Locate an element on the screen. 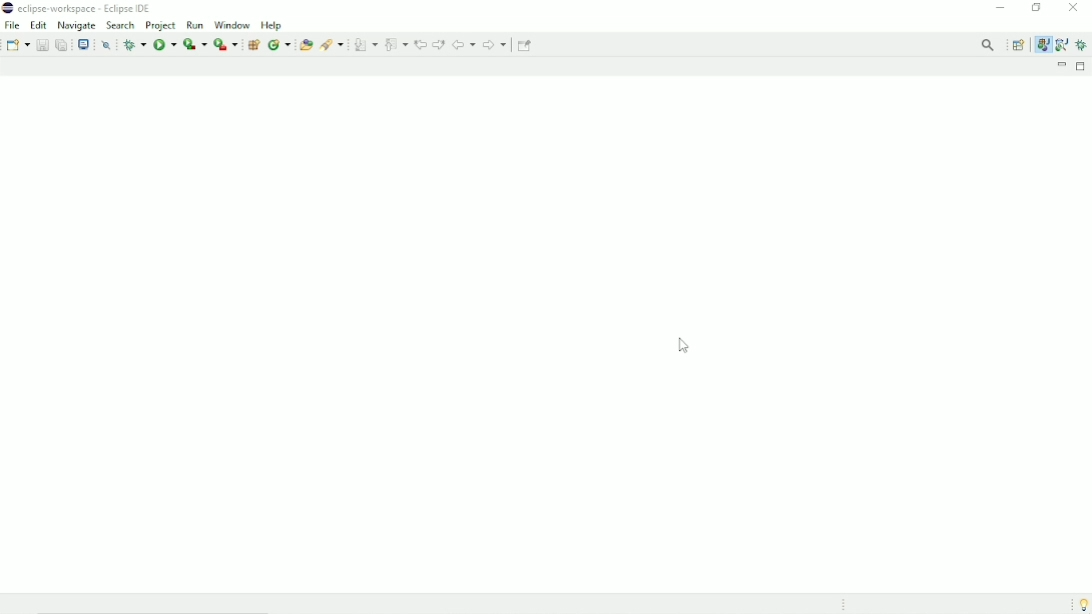 The image size is (1092, 614). Minimize is located at coordinates (1000, 9).